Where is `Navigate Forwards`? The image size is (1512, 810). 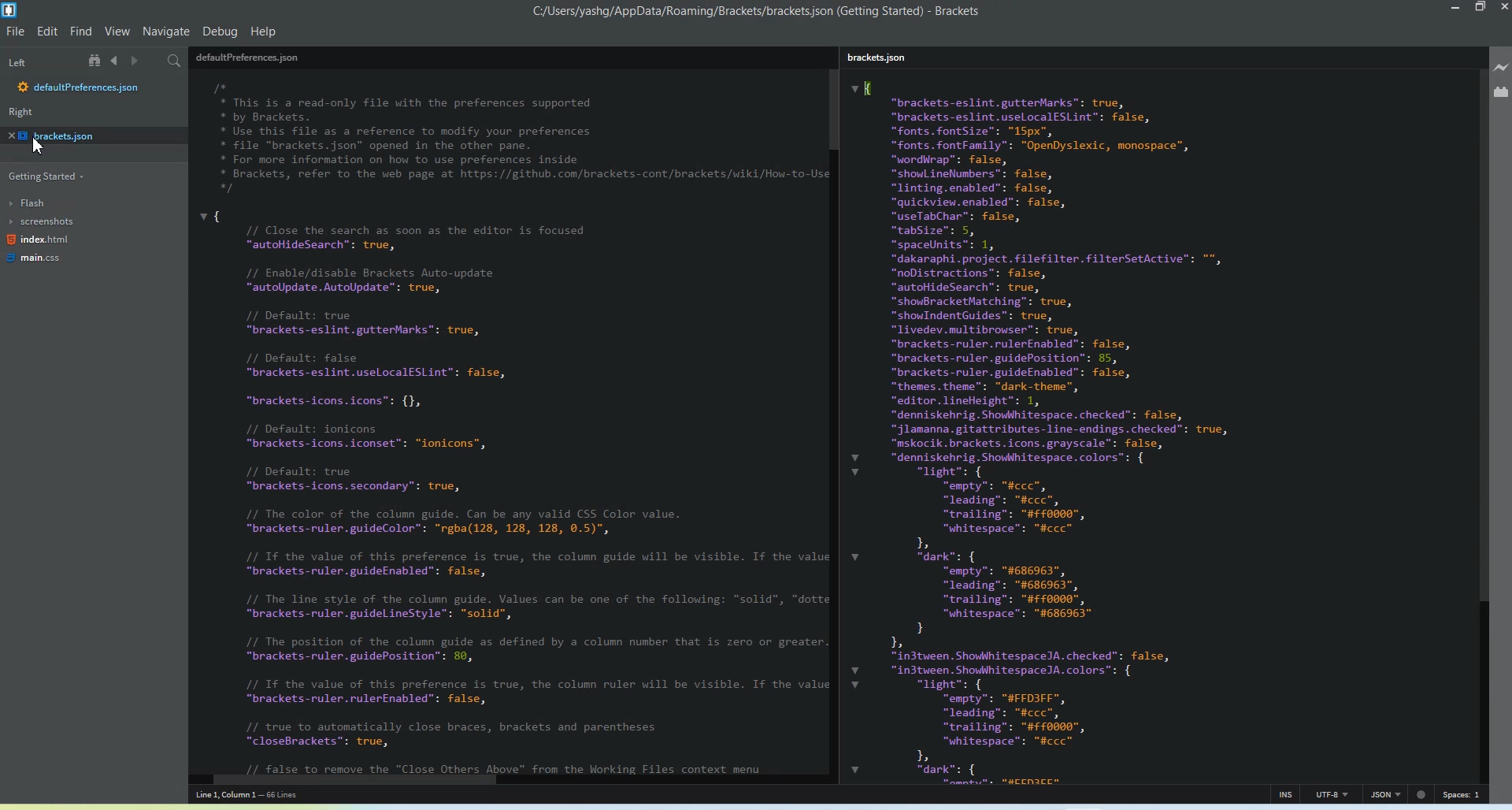 Navigate Forwards is located at coordinates (139, 61).